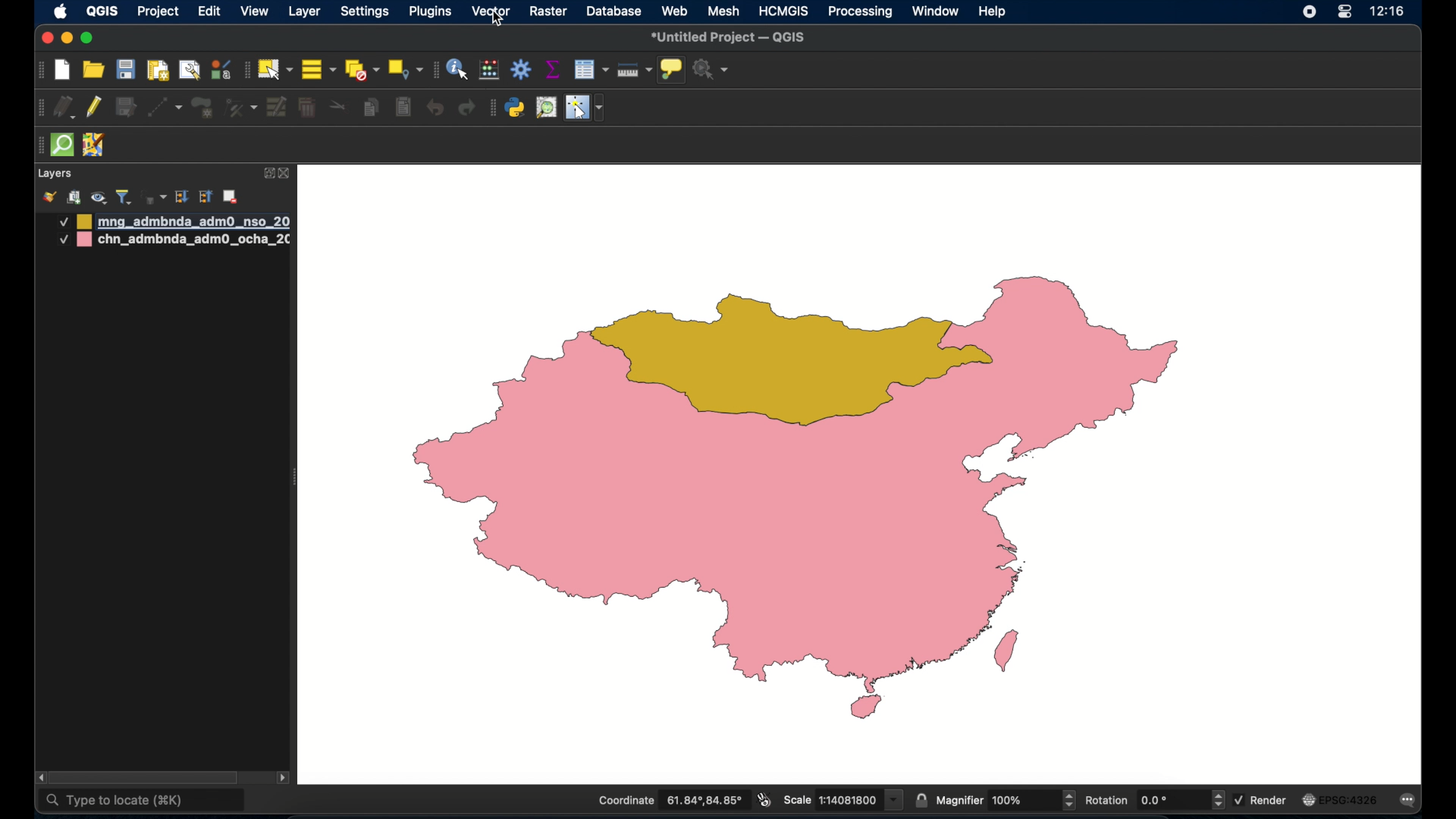 Image resolution: width=1456 pixels, height=819 pixels. What do you see at coordinates (711, 70) in the screenshot?
I see `no action selected` at bounding box center [711, 70].